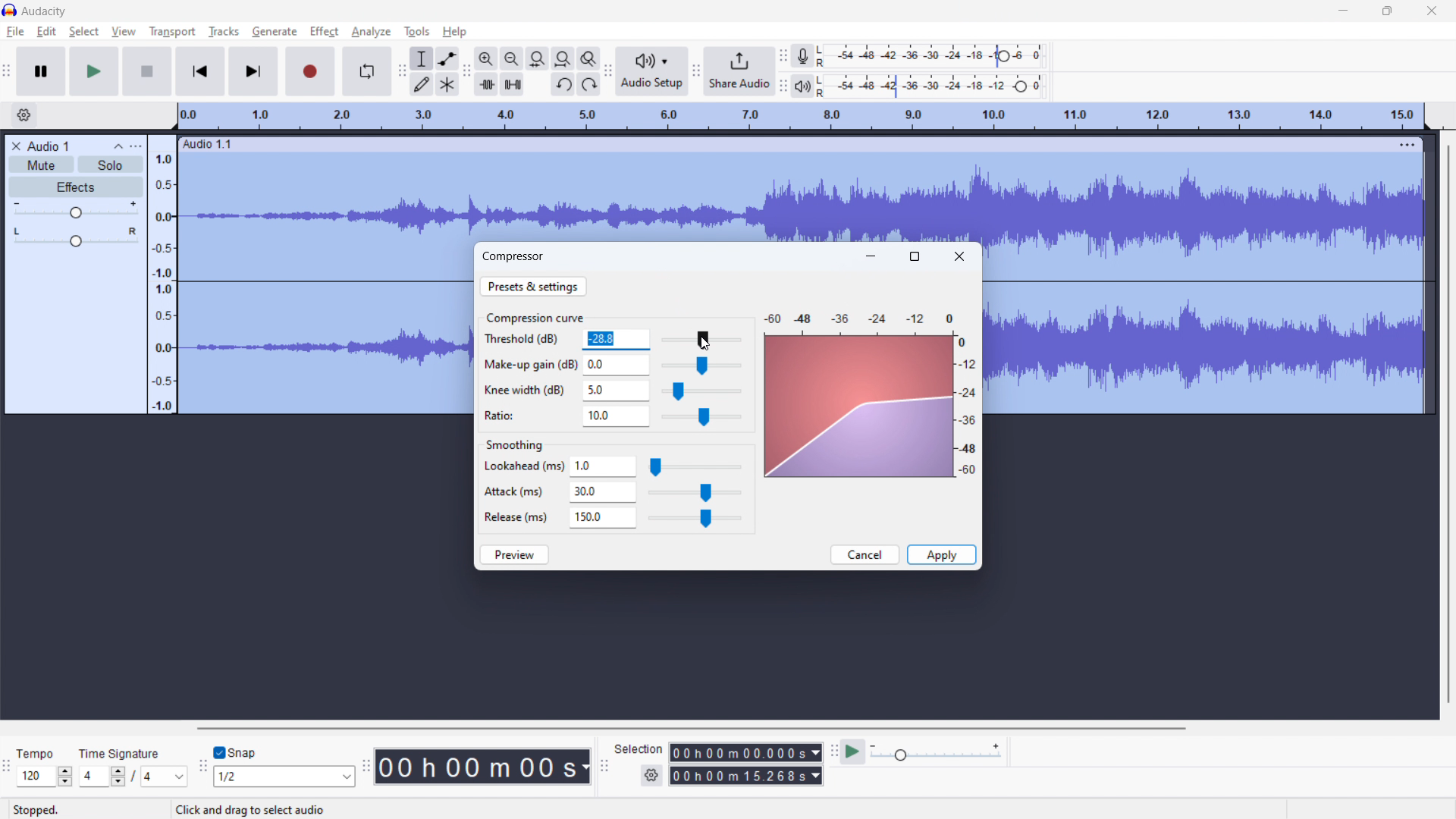 Image resolution: width=1456 pixels, height=819 pixels. Describe the element at coordinates (482, 763) in the screenshot. I see `00 h 00 m 00 s` at that location.